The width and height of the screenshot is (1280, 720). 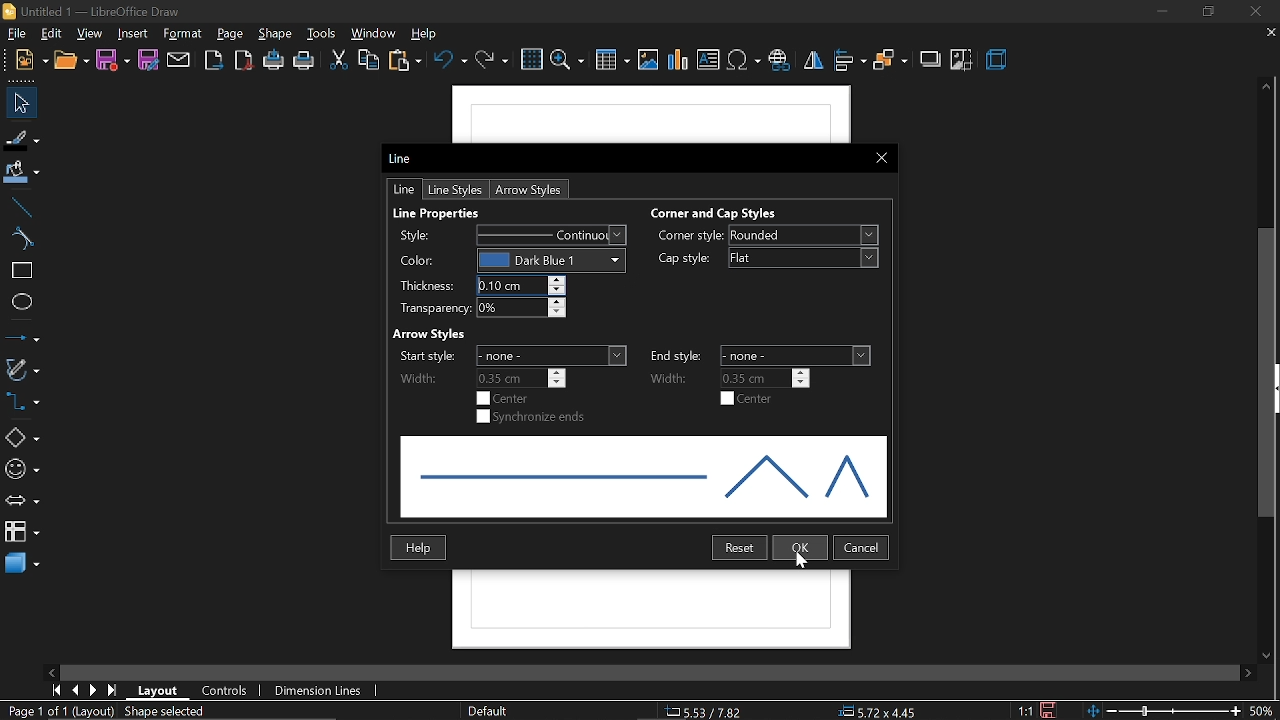 What do you see at coordinates (705, 711) in the screenshot?
I see `co-ordinate` at bounding box center [705, 711].